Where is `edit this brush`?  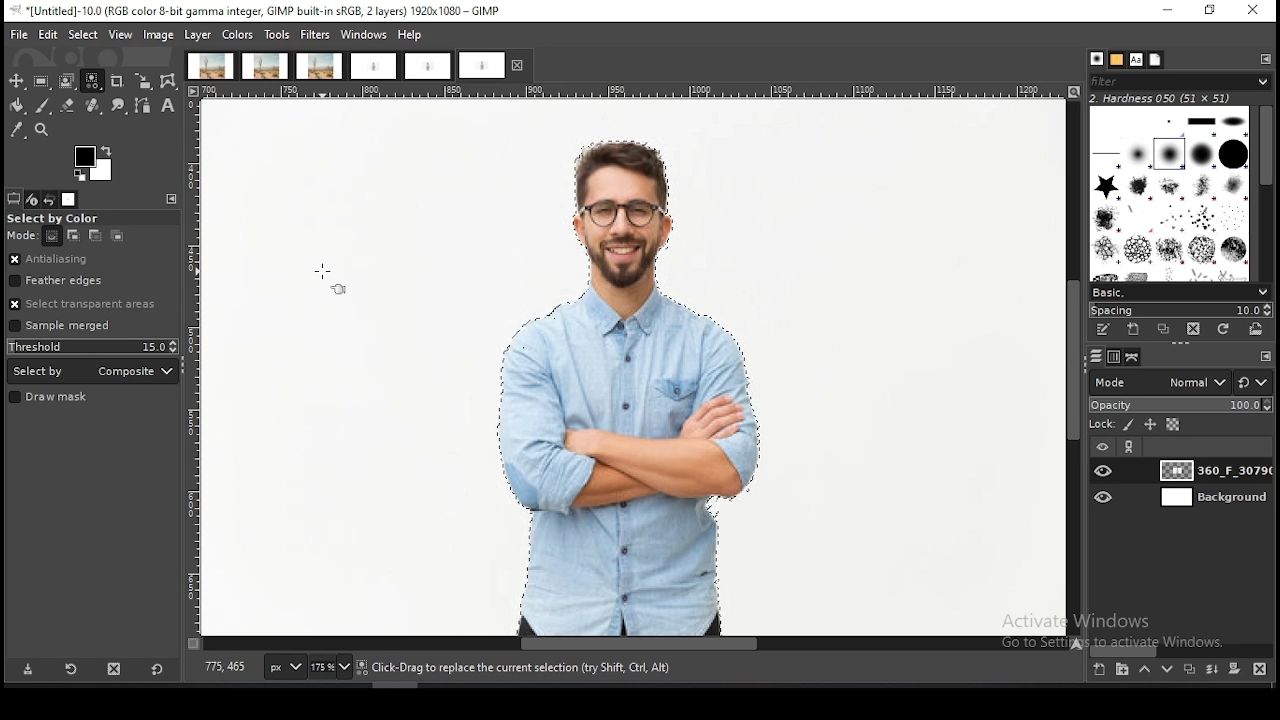 edit this brush is located at coordinates (1102, 330).